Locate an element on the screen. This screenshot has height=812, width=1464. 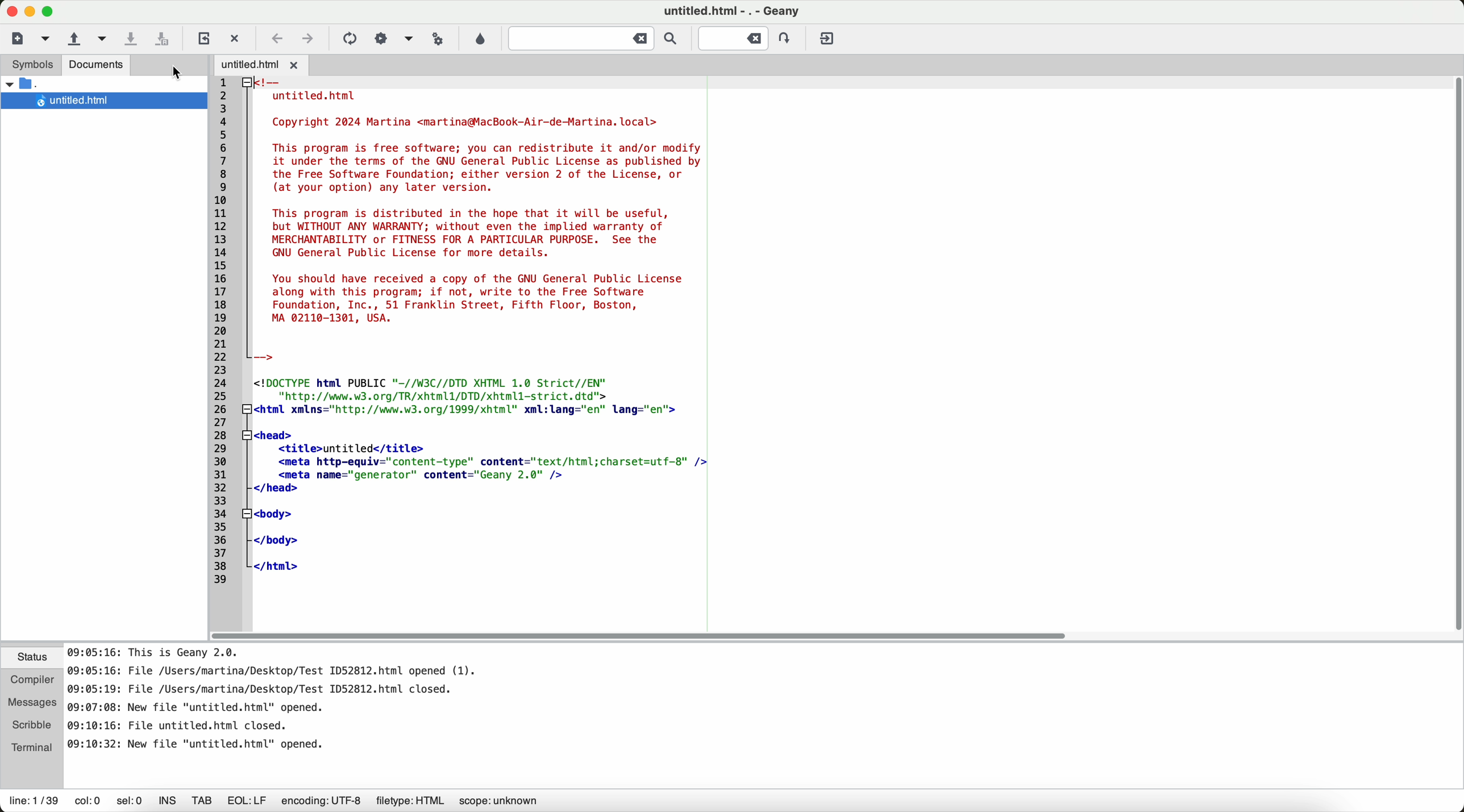
save all open files is located at coordinates (162, 41).